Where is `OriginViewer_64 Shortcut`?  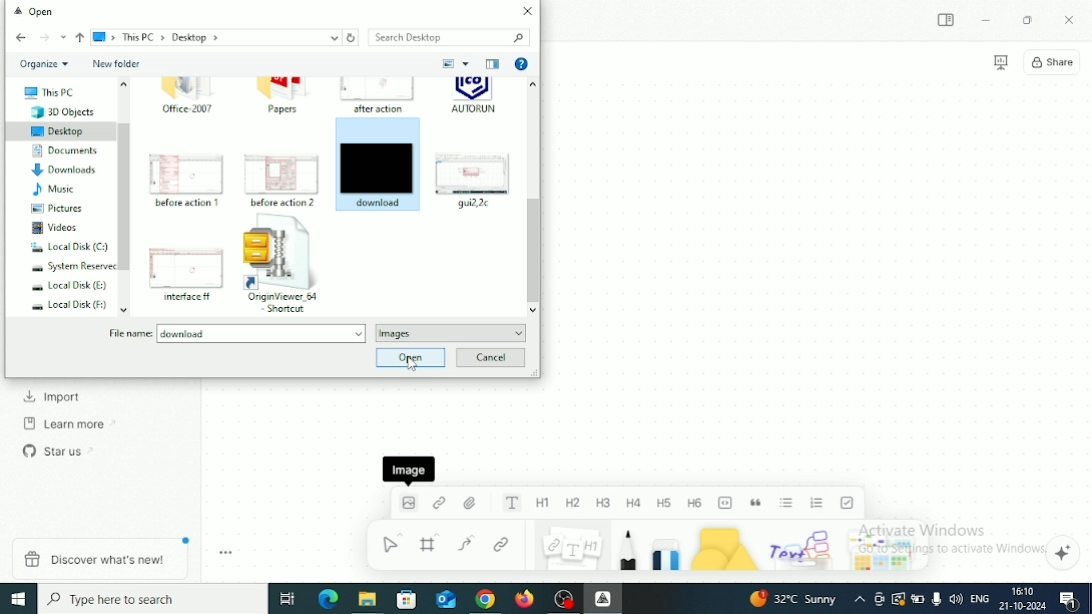
OriginViewer_64 Shortcut is located at coordinates (287, 266).